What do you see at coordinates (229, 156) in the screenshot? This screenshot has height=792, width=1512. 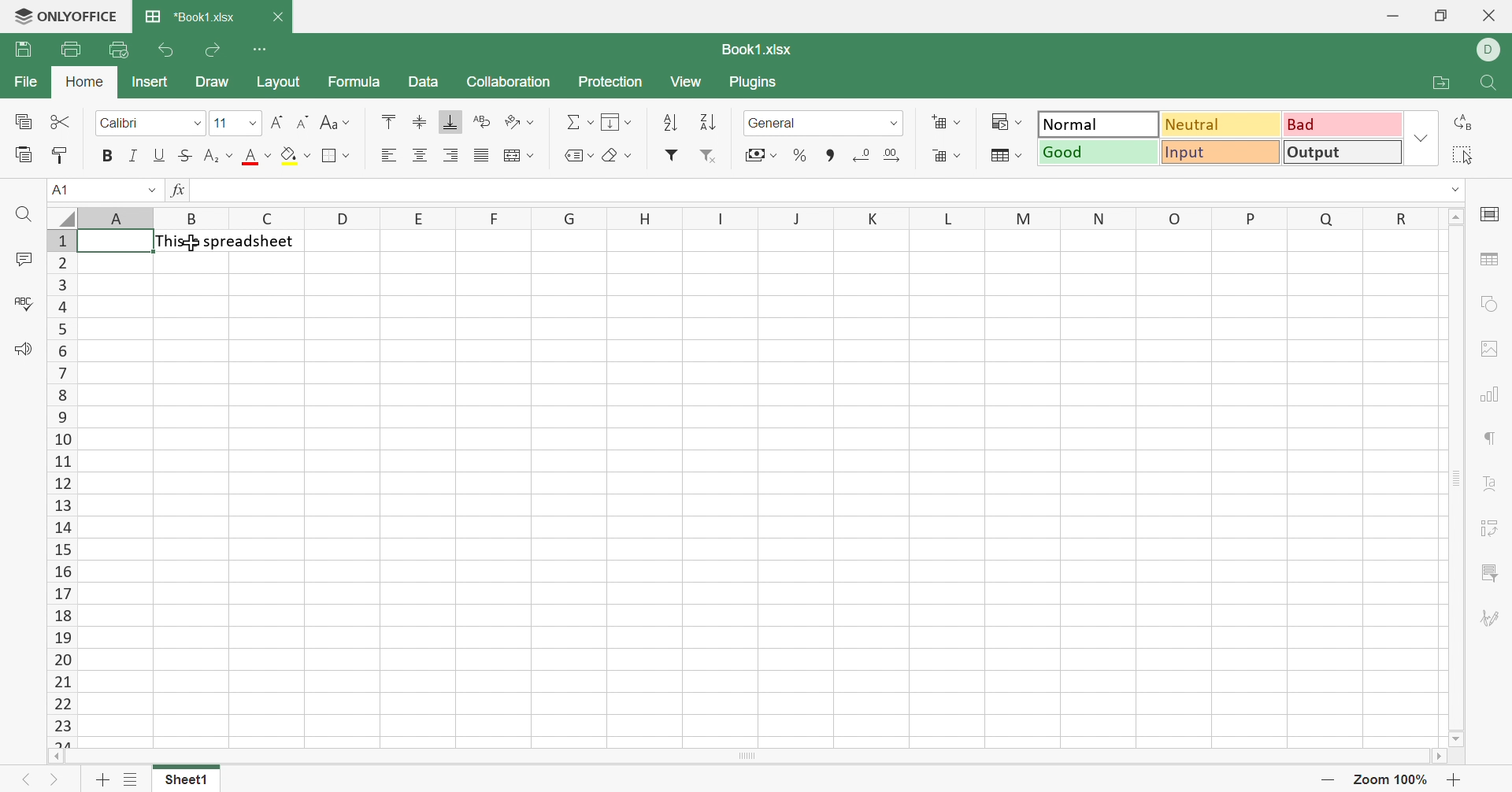 I see `Drop Down` at bounding box center [229, 156].